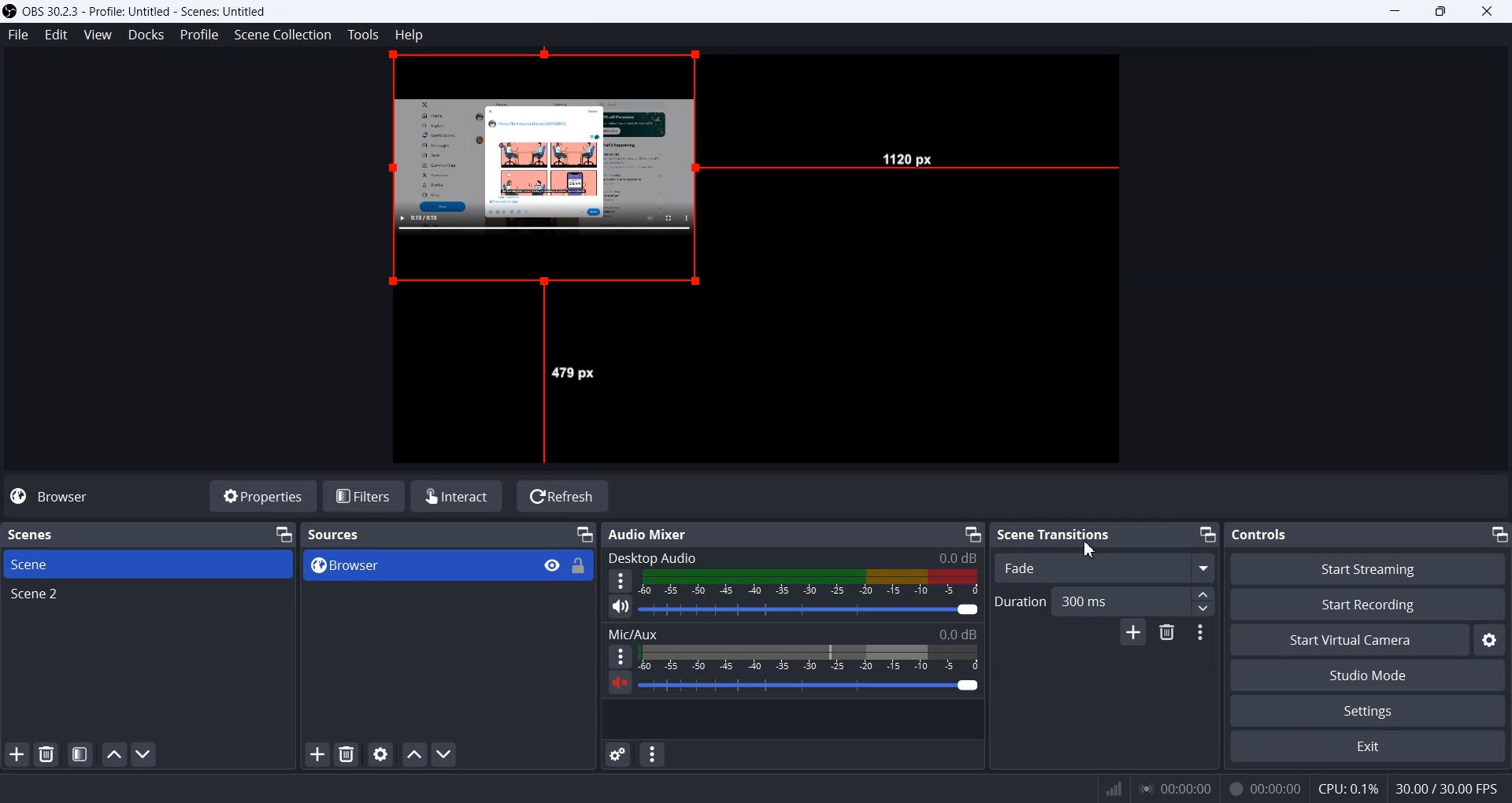  Describe the element at coordinates (113, 755) in the screenshot. I see `Move scene up` at that location.